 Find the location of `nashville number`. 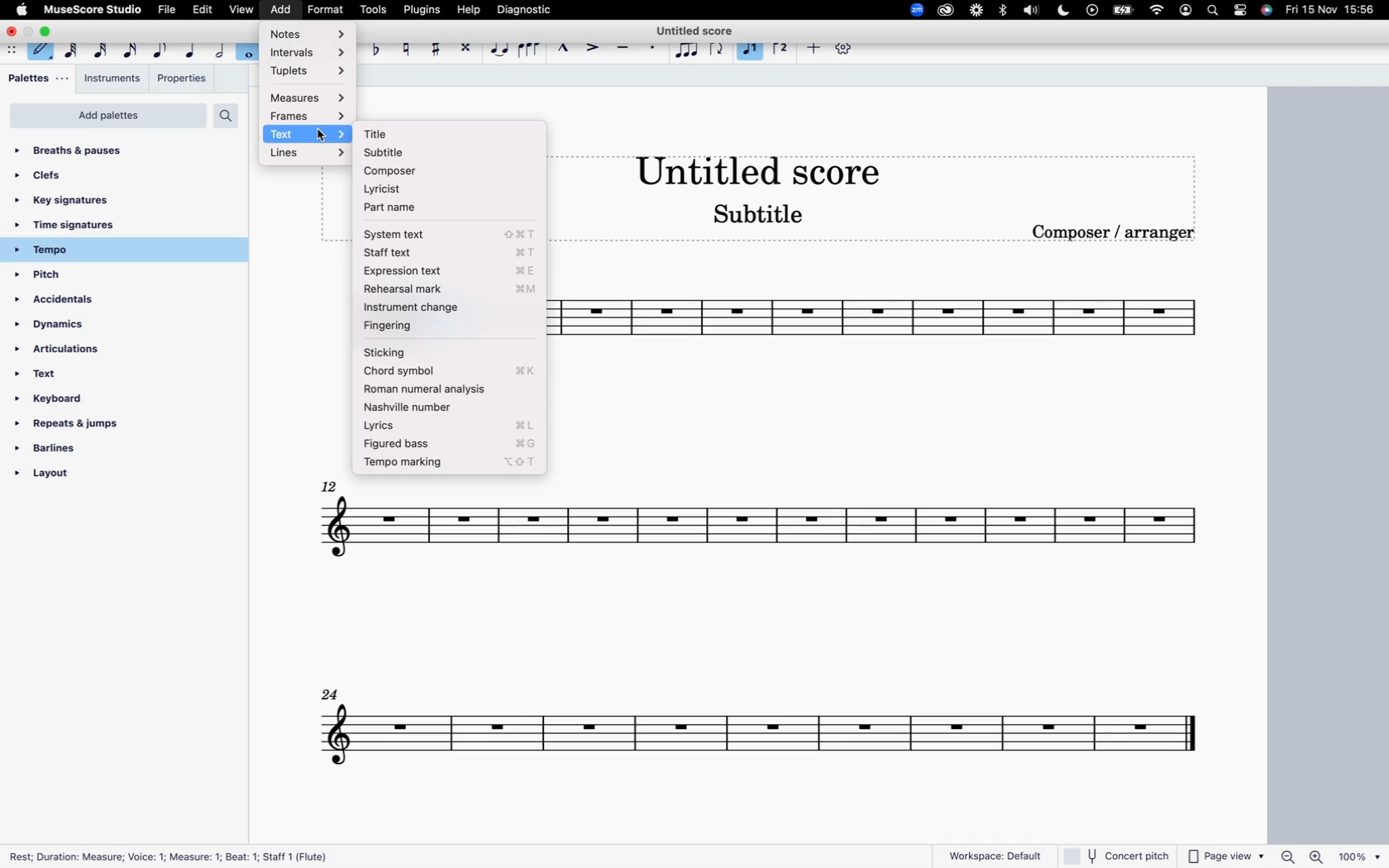

nashville number is located at coordinates (443, 409).